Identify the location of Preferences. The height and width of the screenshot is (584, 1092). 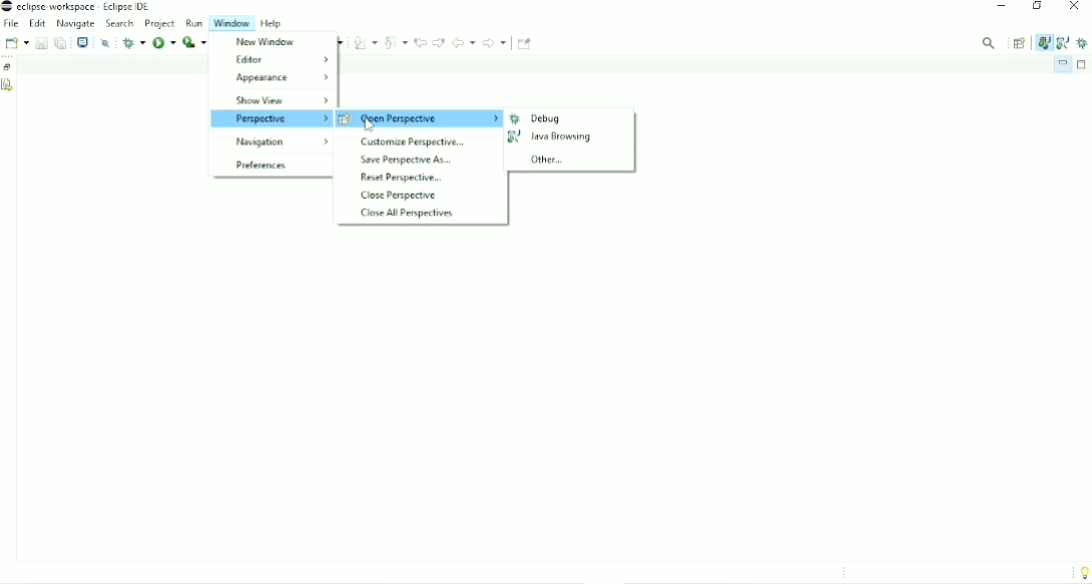
(261, 166).